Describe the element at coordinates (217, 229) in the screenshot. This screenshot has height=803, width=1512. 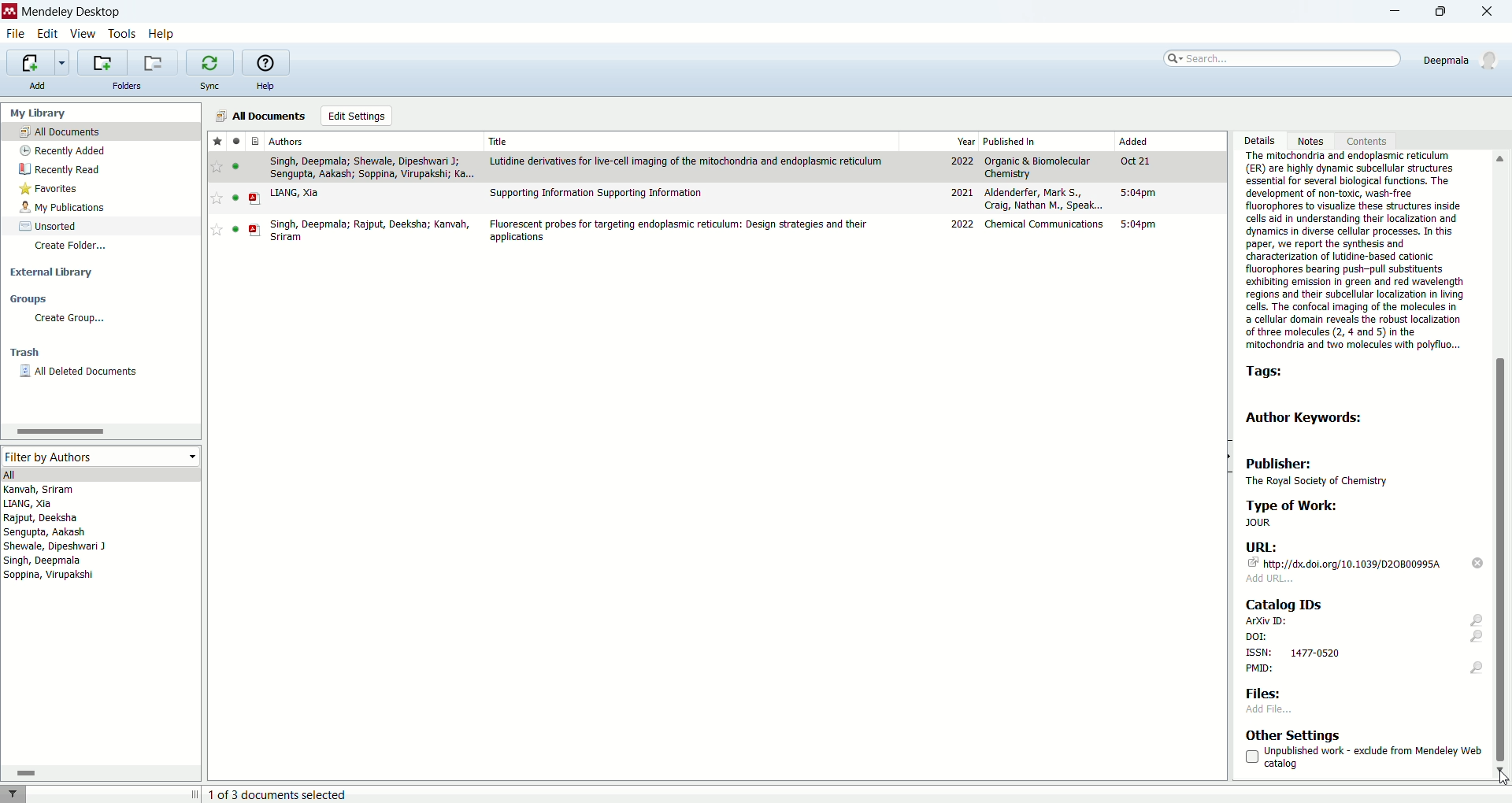
I see `favorite` at that location.